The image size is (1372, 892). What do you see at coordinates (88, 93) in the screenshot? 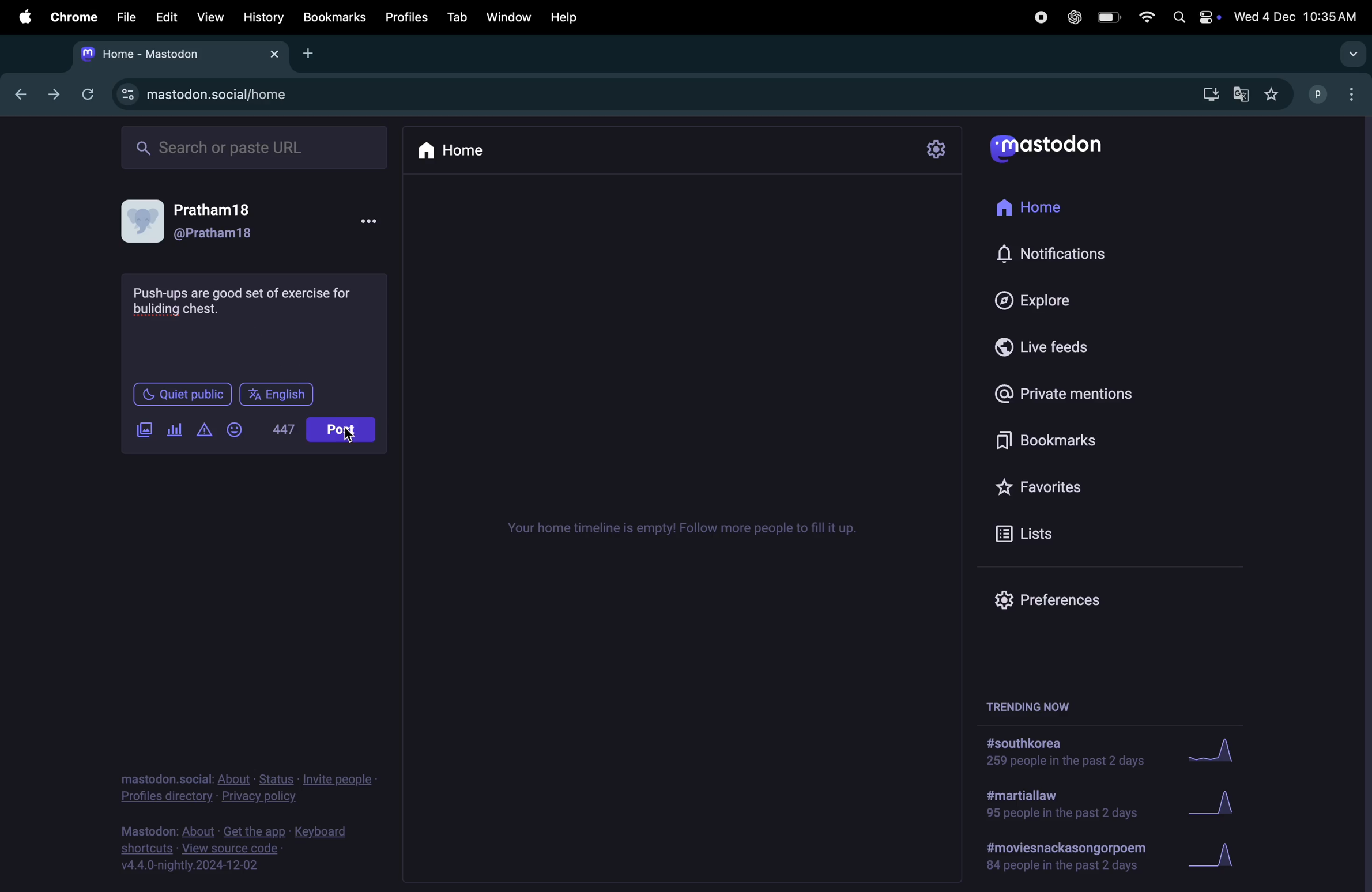
I see `refresh` at bounding box center [88, 93].